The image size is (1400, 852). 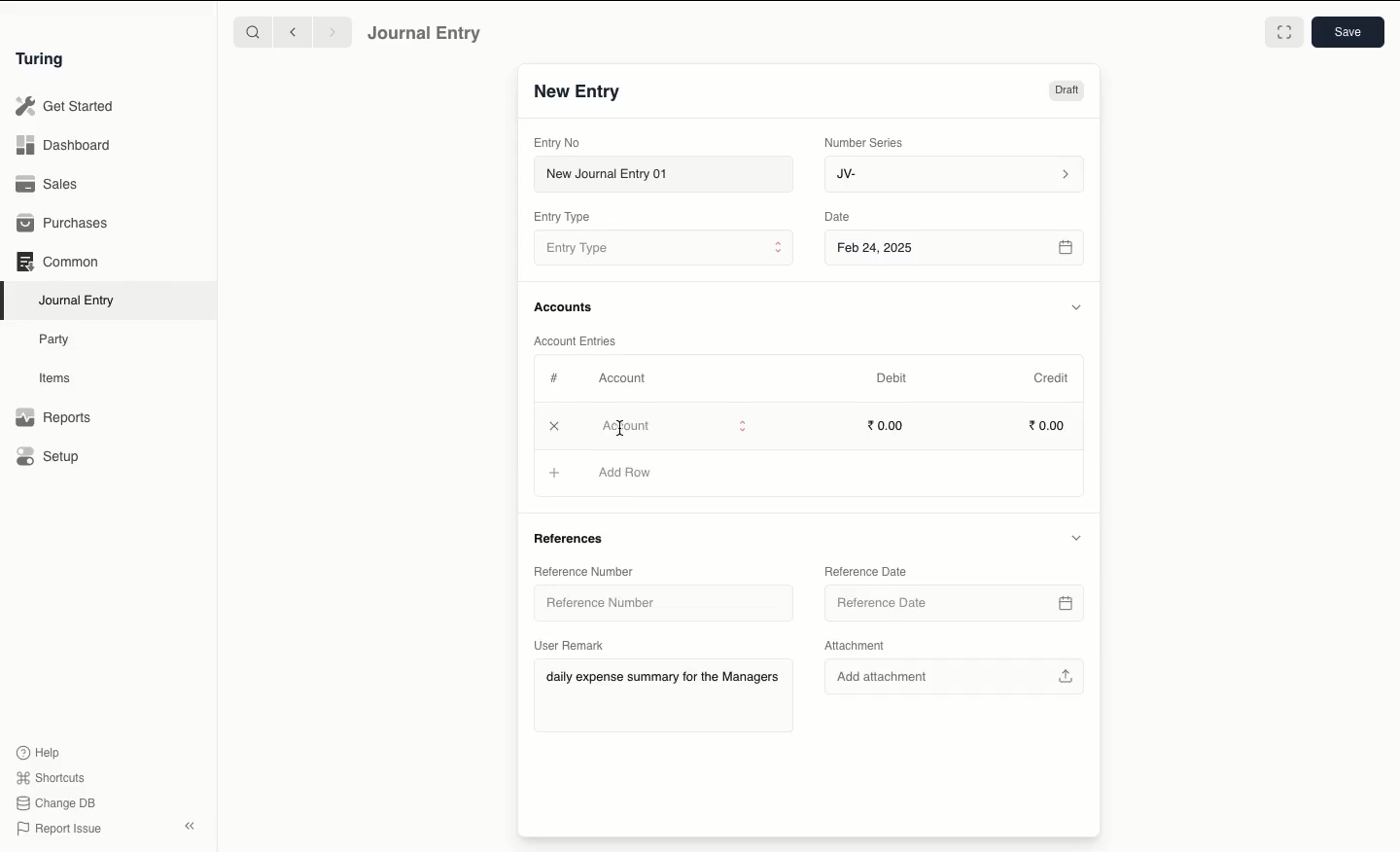 What do you see at coordinates (956, 175) in the screenshot?
I see `JV-` at bounding box center [956, 175].